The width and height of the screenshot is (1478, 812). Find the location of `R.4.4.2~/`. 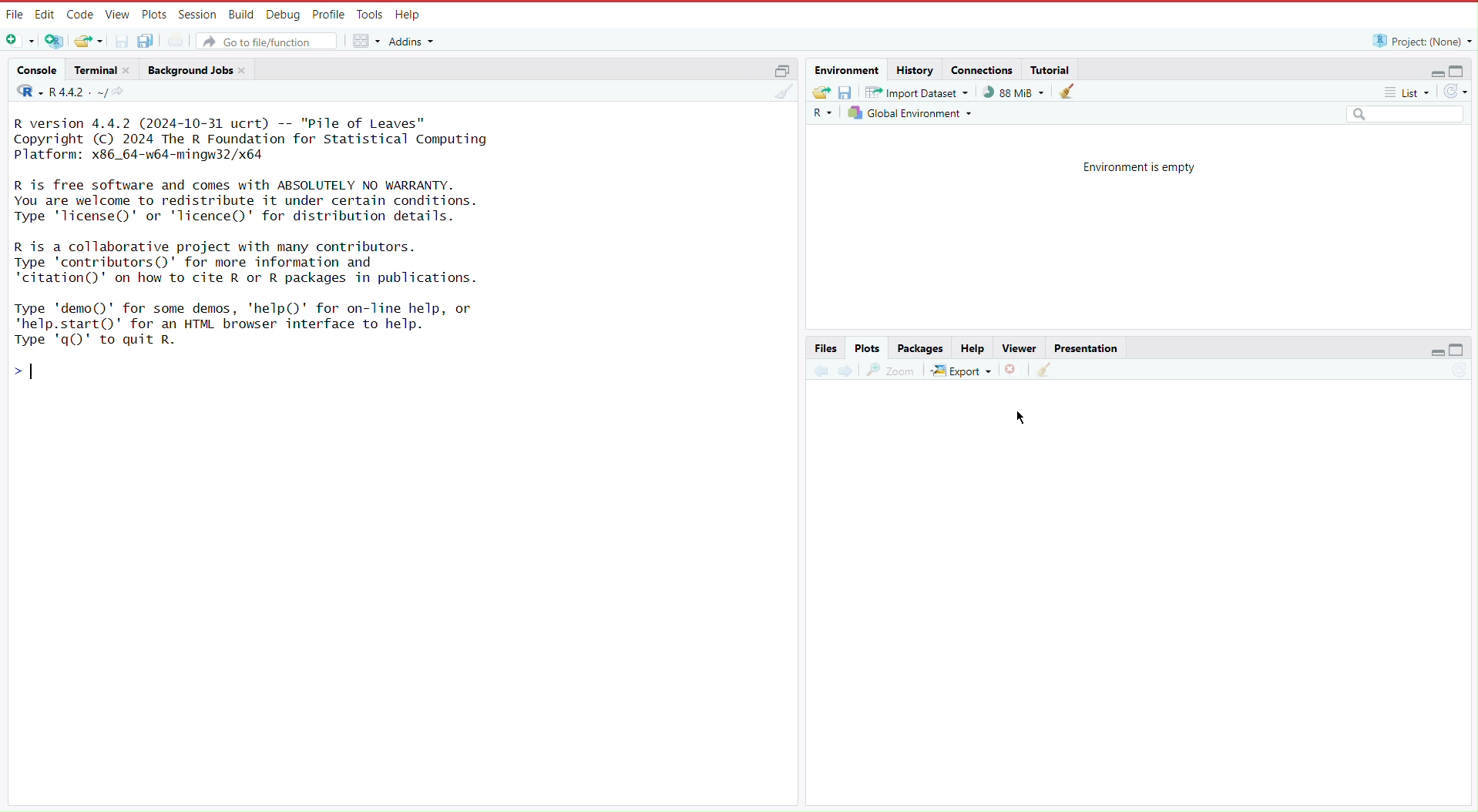

R.4.4.2~/ is located at coordinates (79, 92).